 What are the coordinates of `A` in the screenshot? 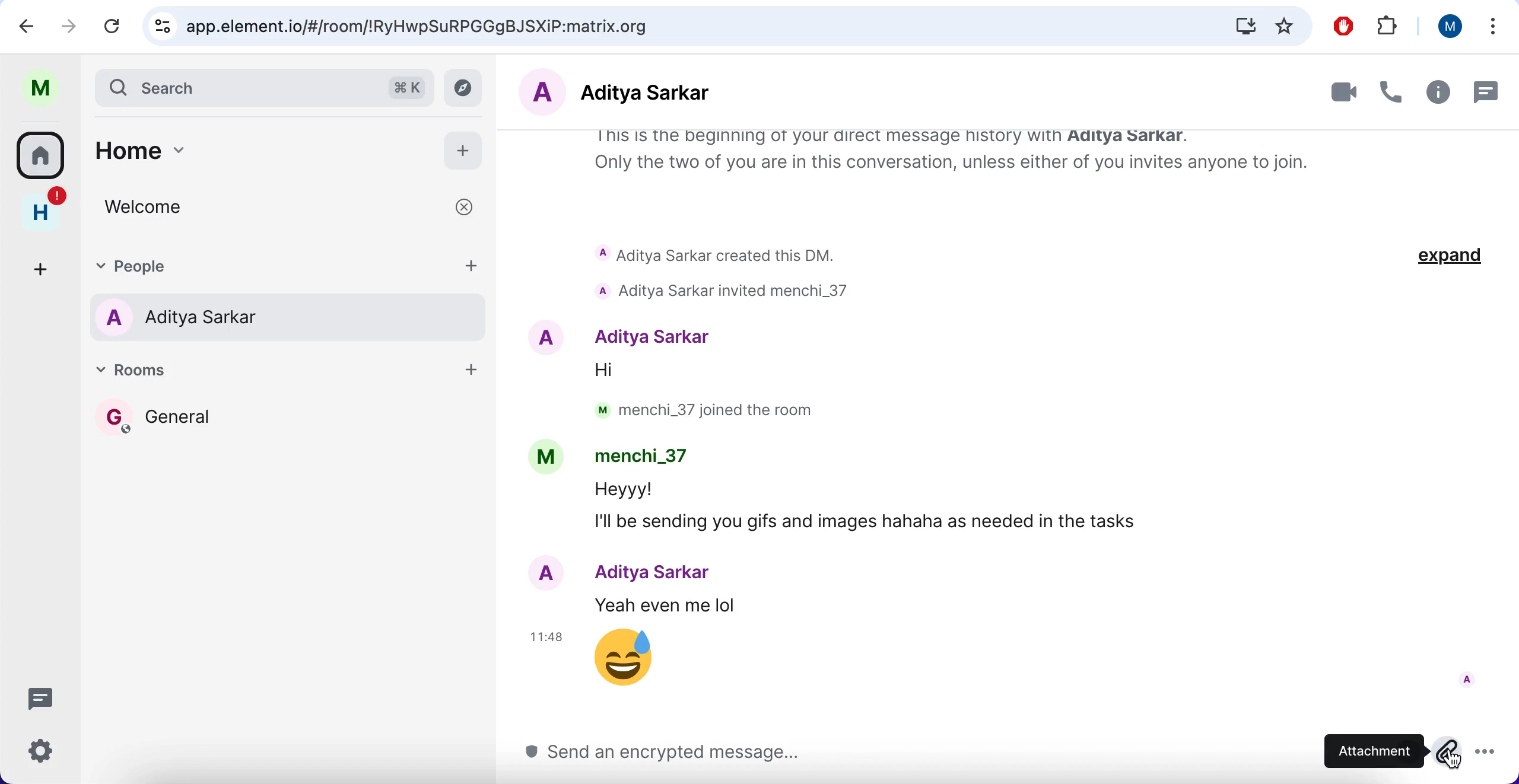 It's located at (1466, 680).